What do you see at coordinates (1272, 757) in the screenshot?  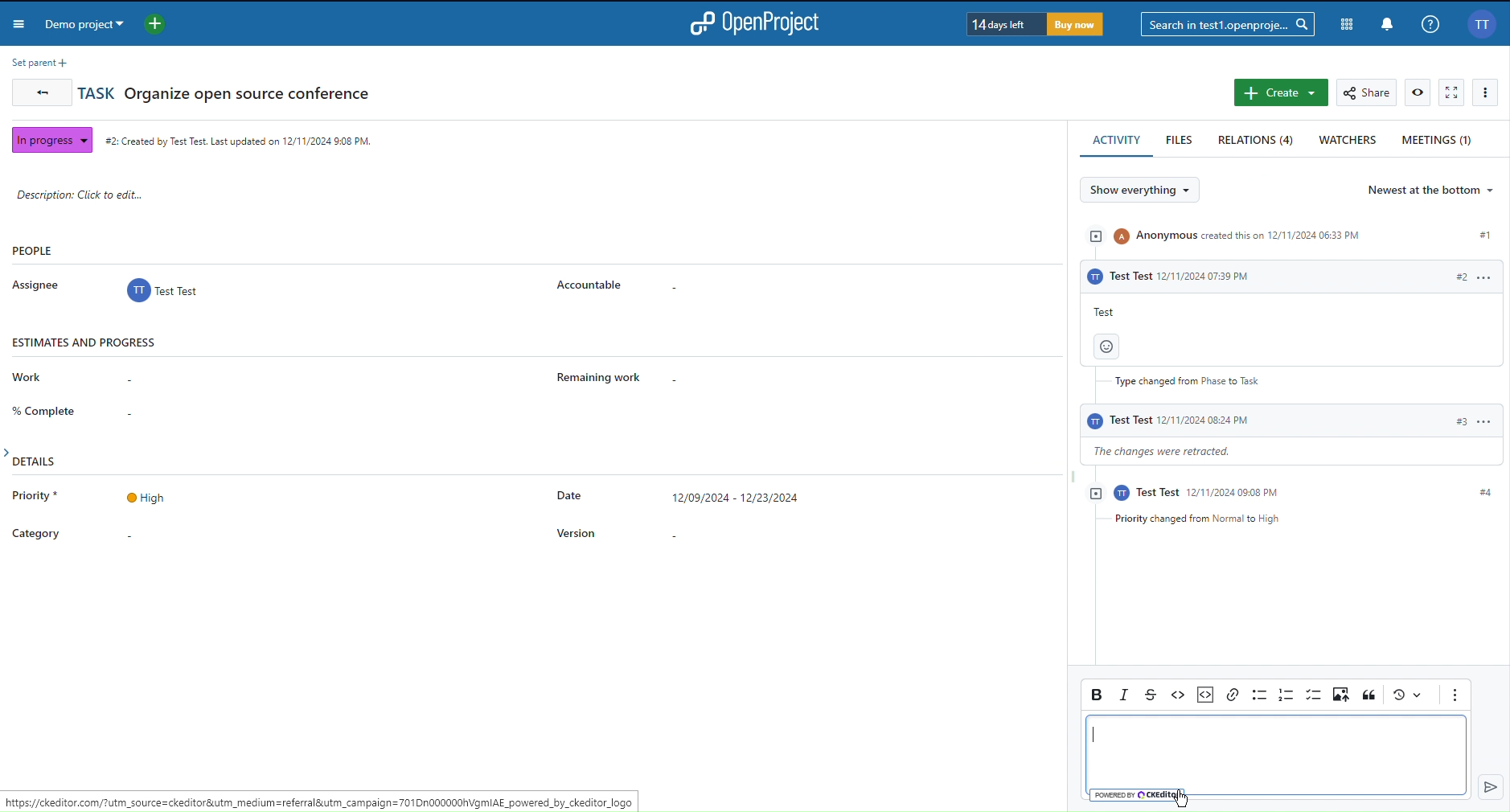 I see `Textbox` at bounding box center [1272, 757].